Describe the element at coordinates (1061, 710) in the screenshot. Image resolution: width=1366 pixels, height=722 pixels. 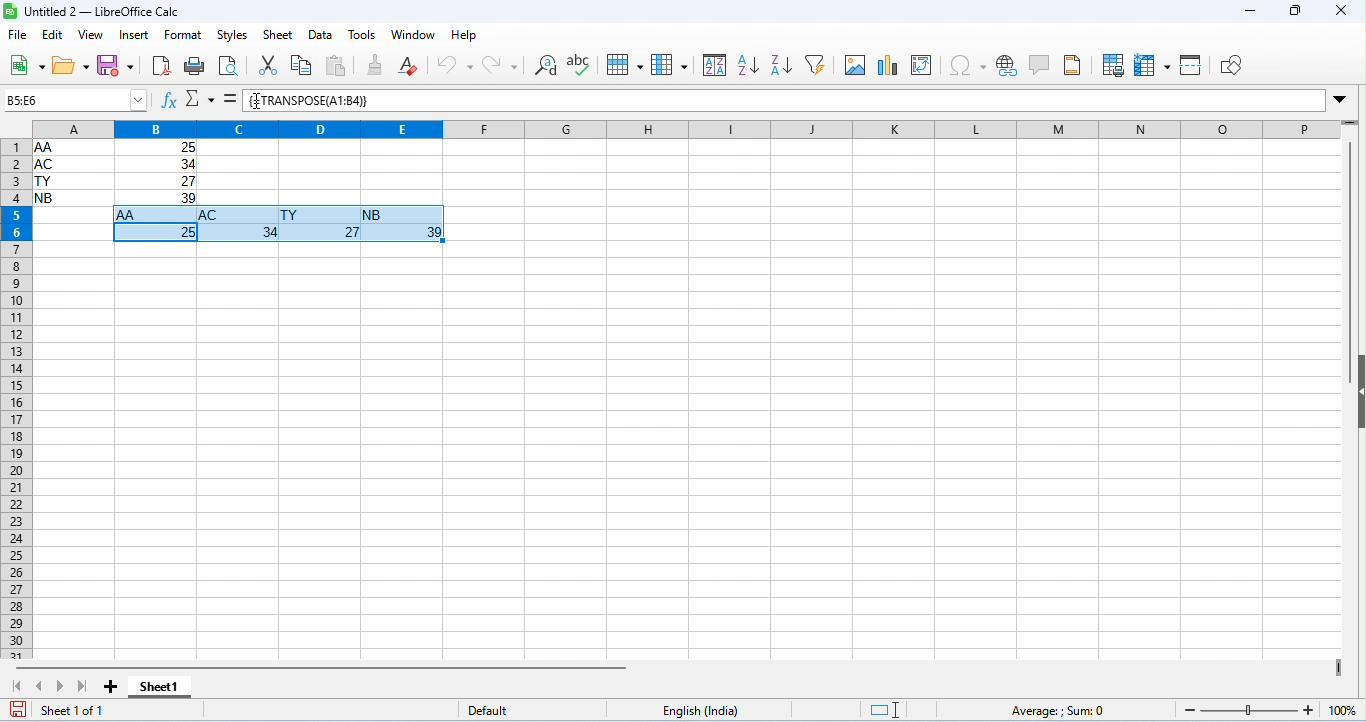
I see `formula` at that location.